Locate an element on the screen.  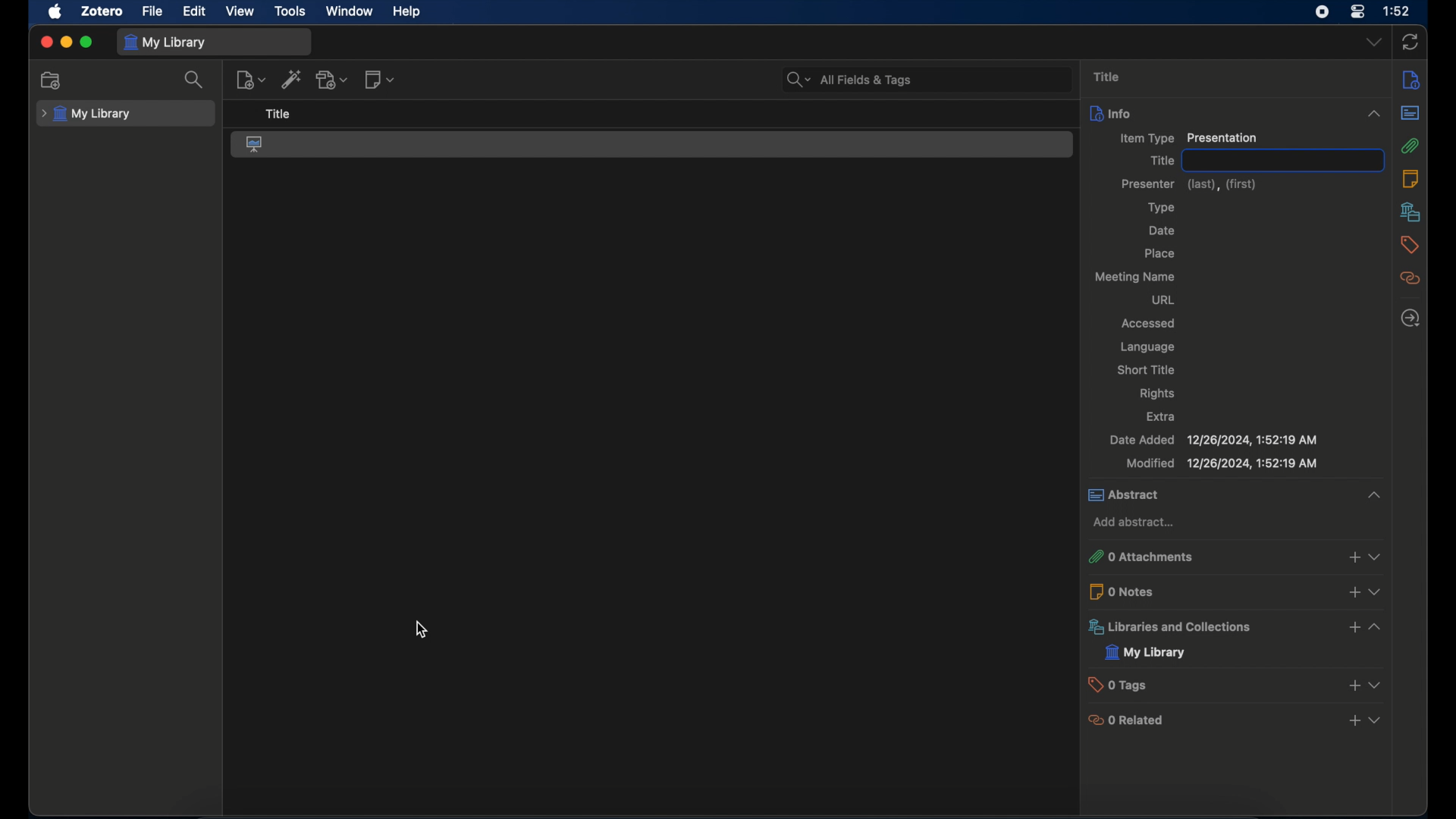
new note is located at coordinates (381, 80).